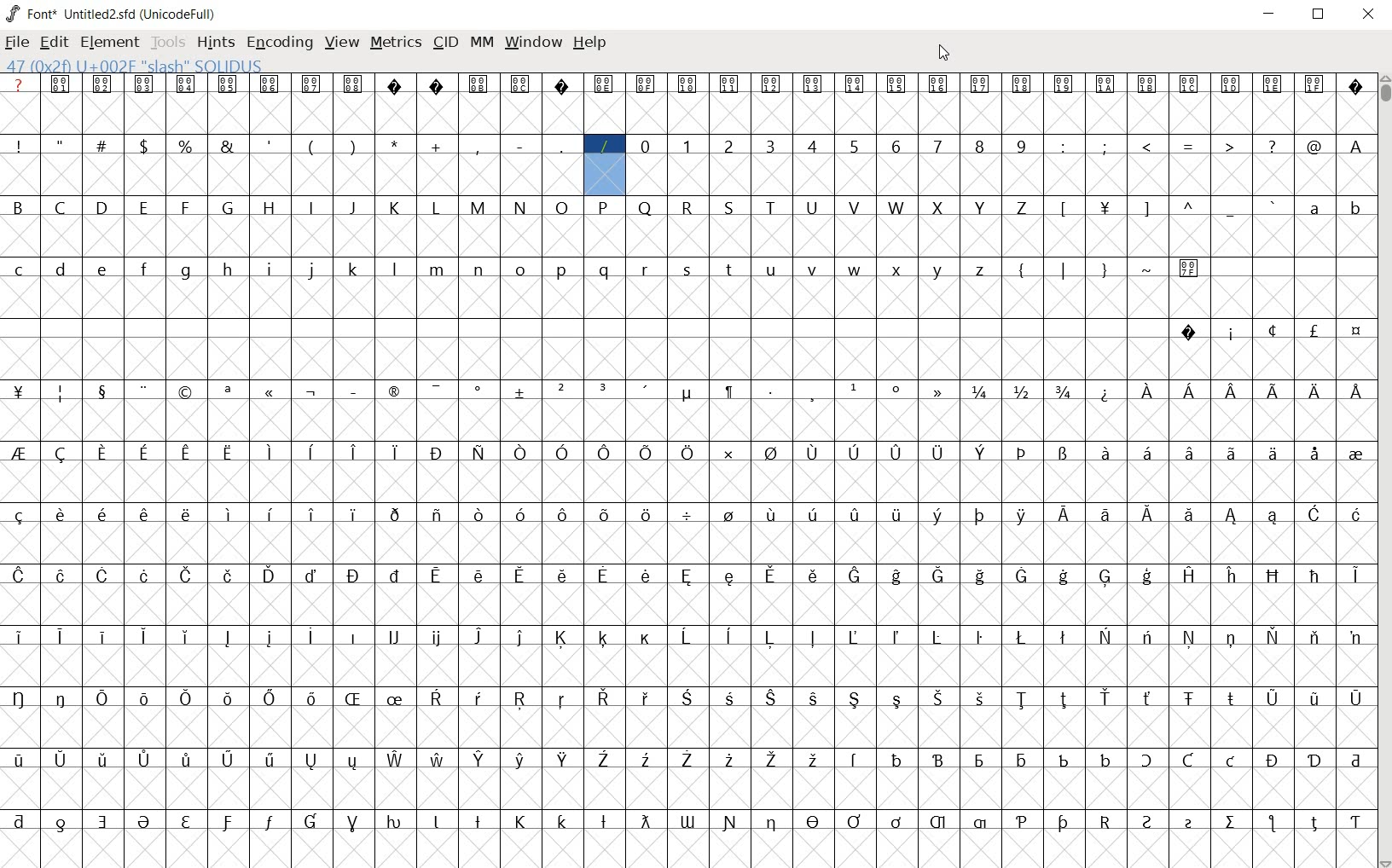 This screenshot has width=1392, height=868. I want to click on glyph, so click(230, 514).